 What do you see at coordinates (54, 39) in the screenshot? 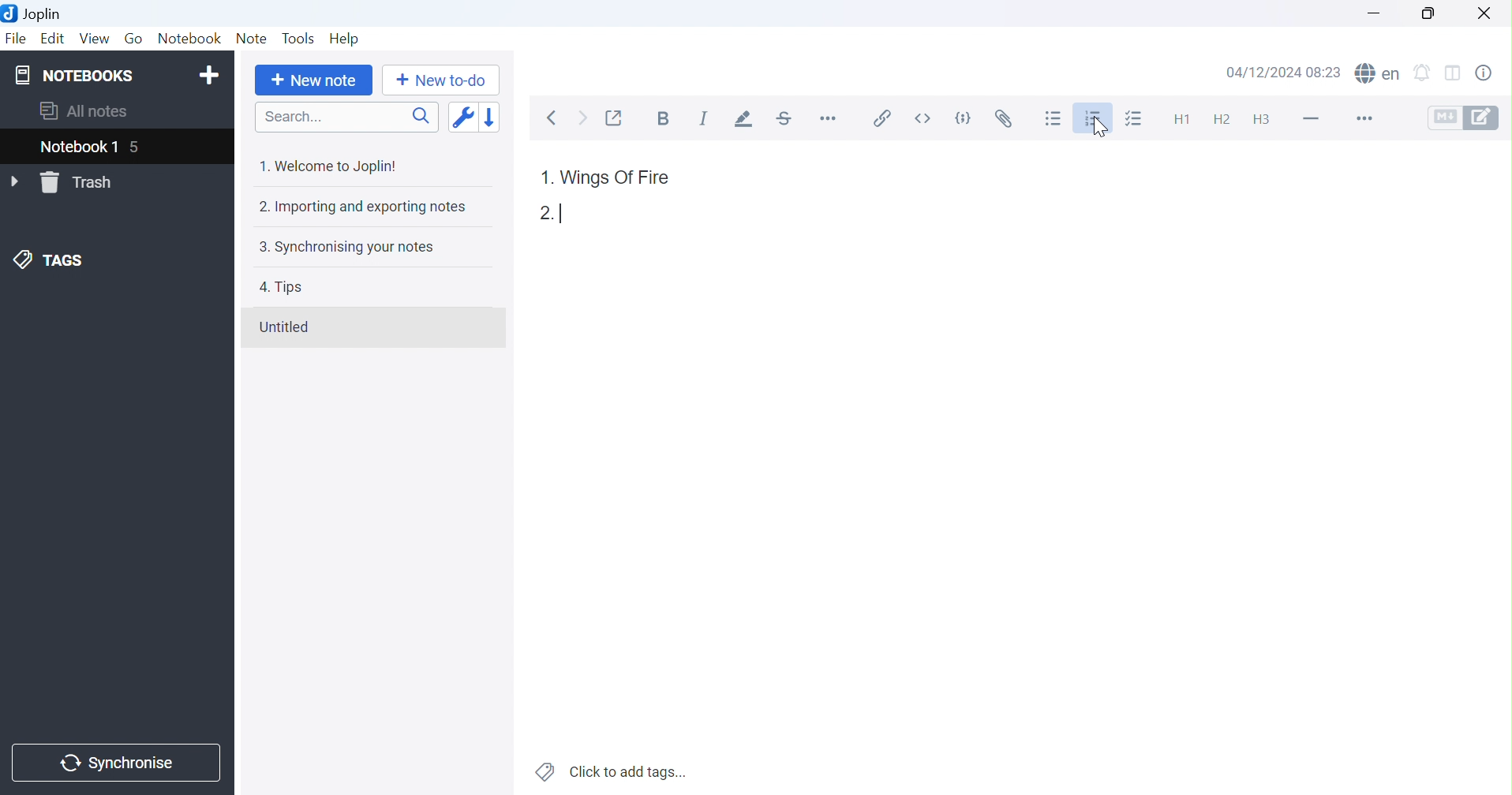
I see `Edit` at bounding box center [54, 39].